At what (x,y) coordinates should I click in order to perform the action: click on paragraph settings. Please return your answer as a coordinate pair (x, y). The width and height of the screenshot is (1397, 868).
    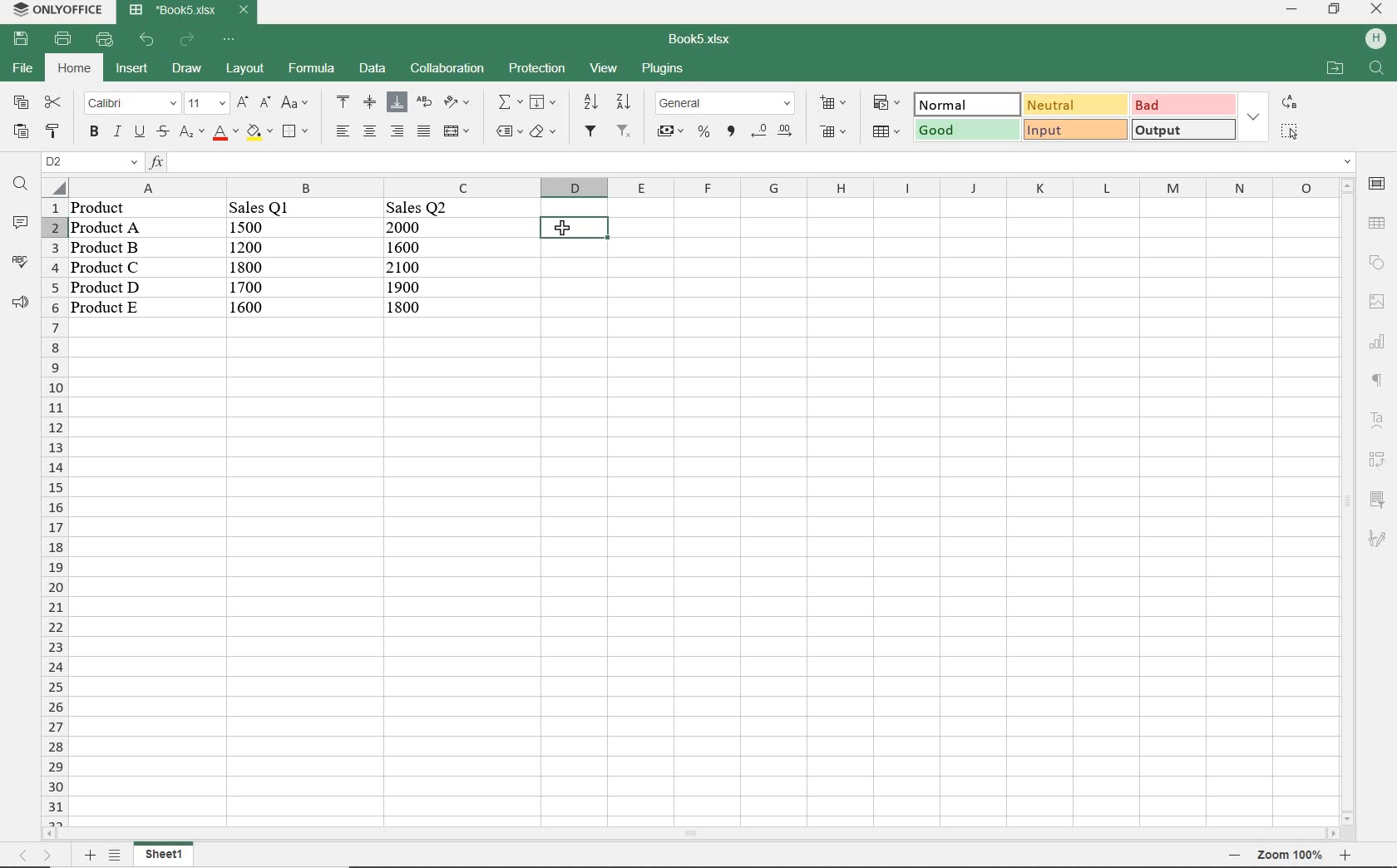
    Looking at the image, I should click on (1377, 382).